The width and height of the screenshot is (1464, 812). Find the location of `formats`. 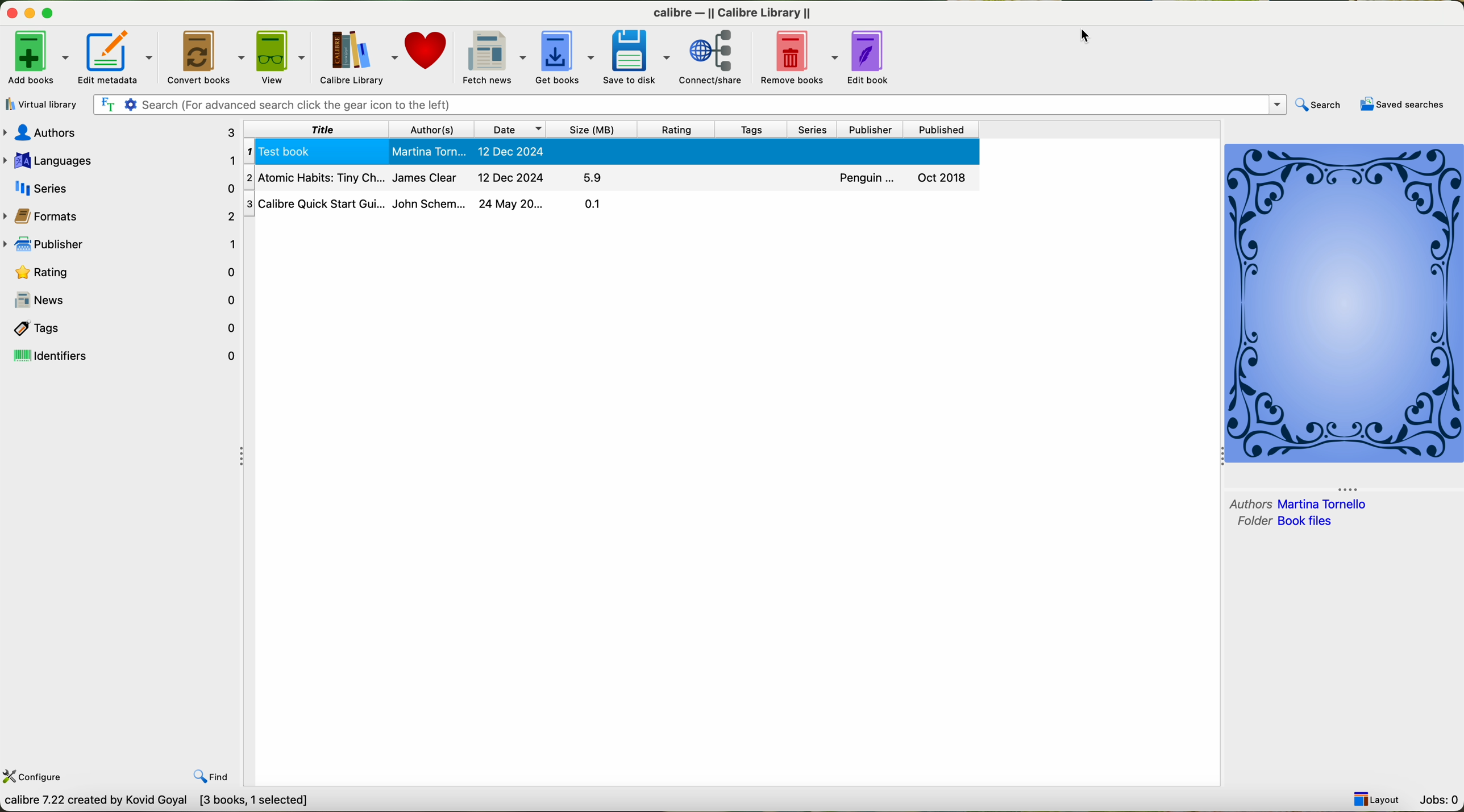

formats is located at coordinates (123, 215).